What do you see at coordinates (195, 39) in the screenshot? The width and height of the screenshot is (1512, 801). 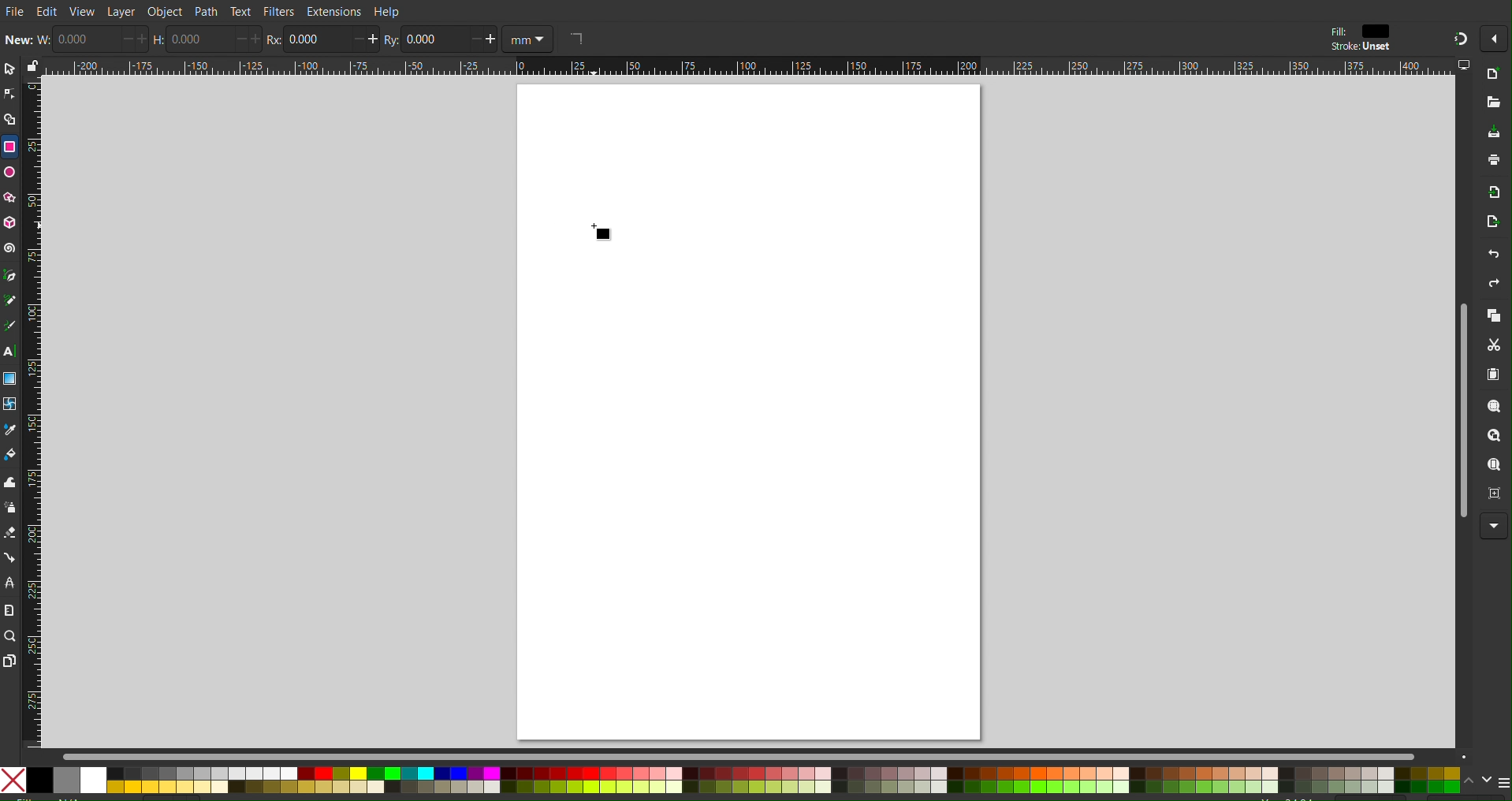 I see `0.000` at bounding box center [195, 39].